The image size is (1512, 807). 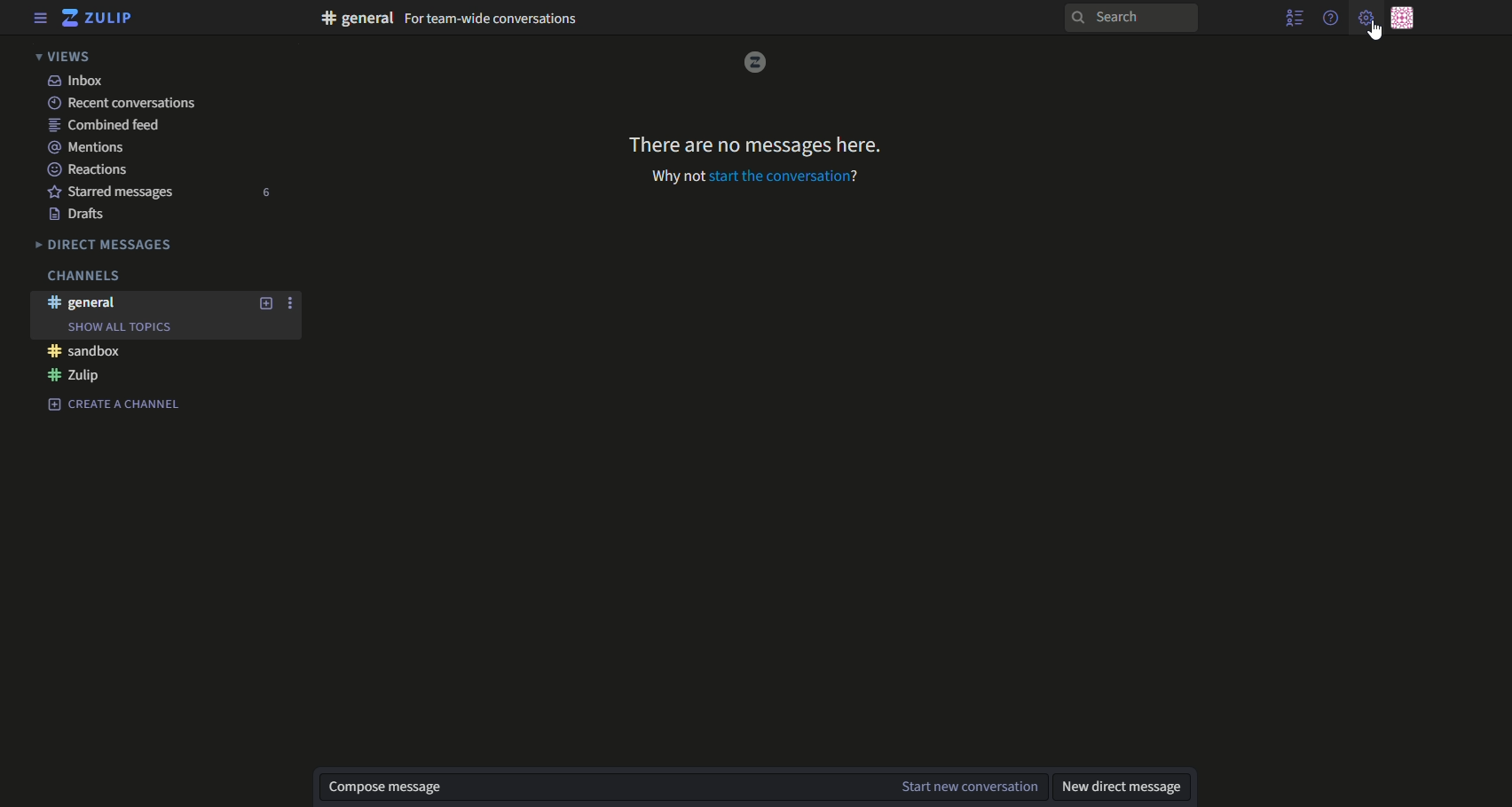 I want to click on Starred messages, so click(x=114, y=193).